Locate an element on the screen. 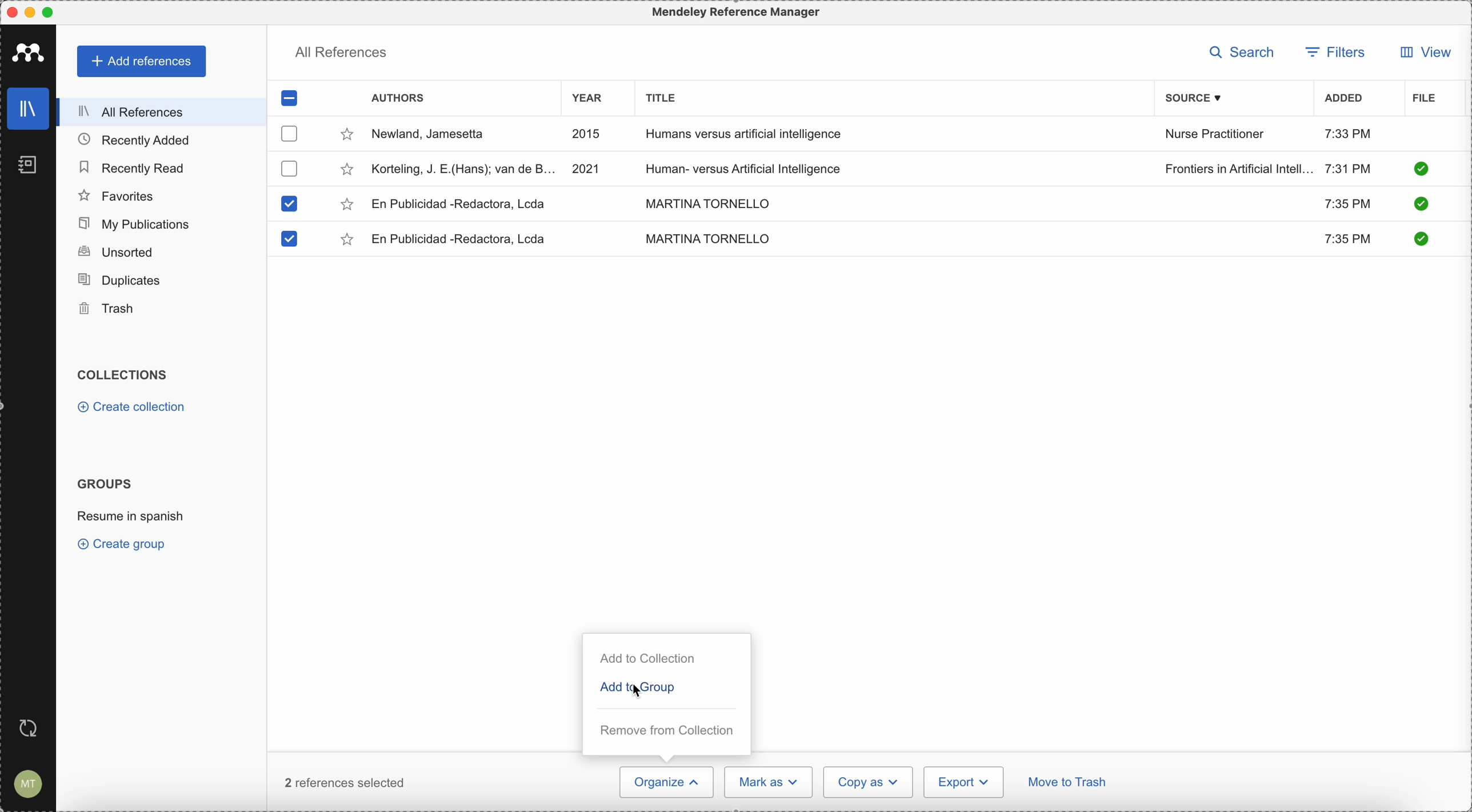 The height and width of the screenshot is (812, 1472). Mendeley Referencen Manager is located at coordinates (739, 13).